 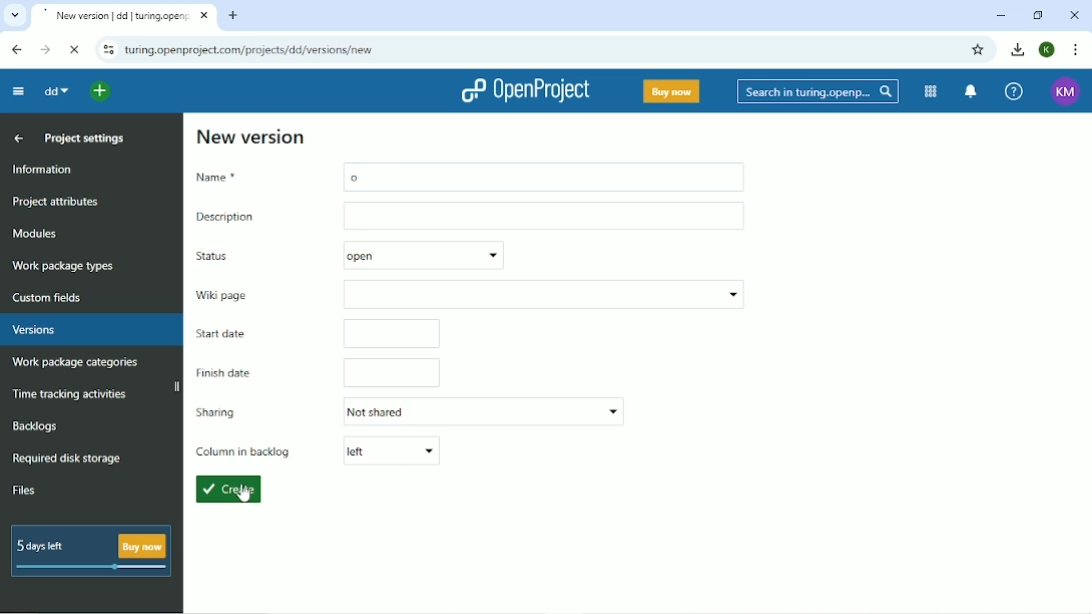 I want to click on Help, so click(x=1015, y=91).